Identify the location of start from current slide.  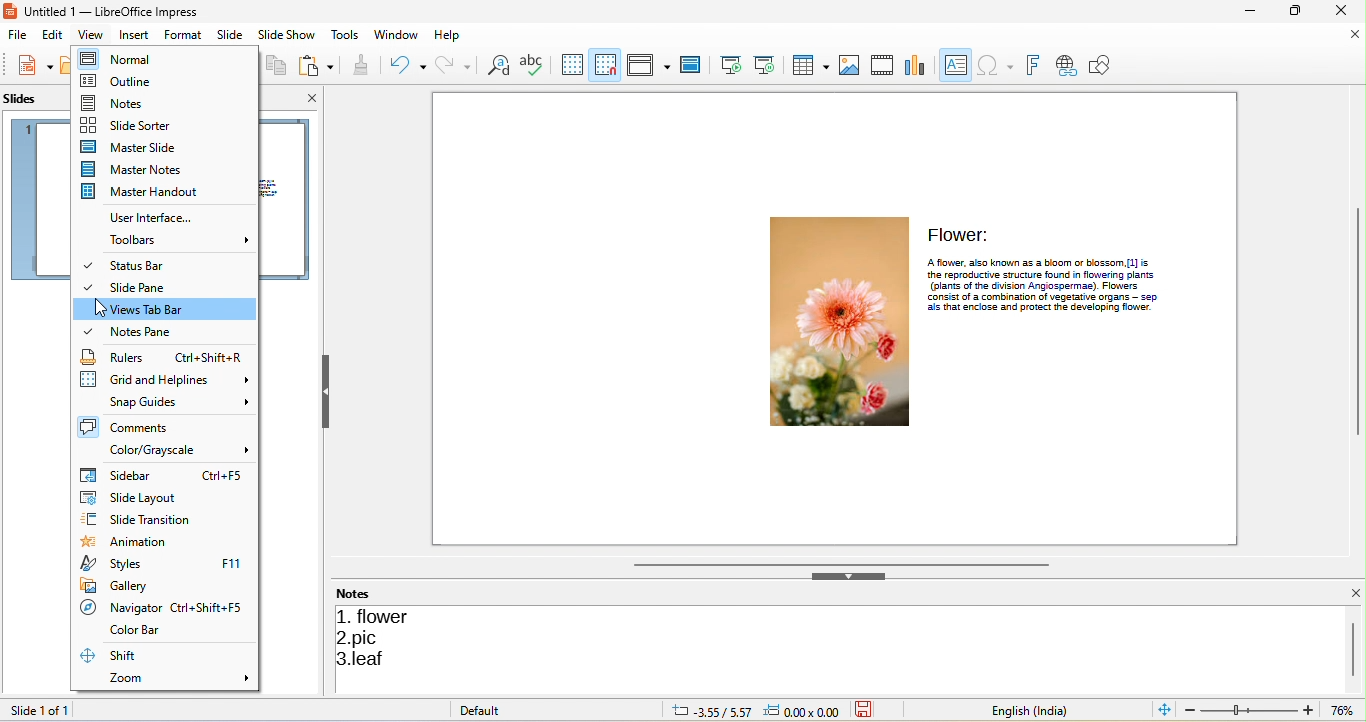
(765, 65).